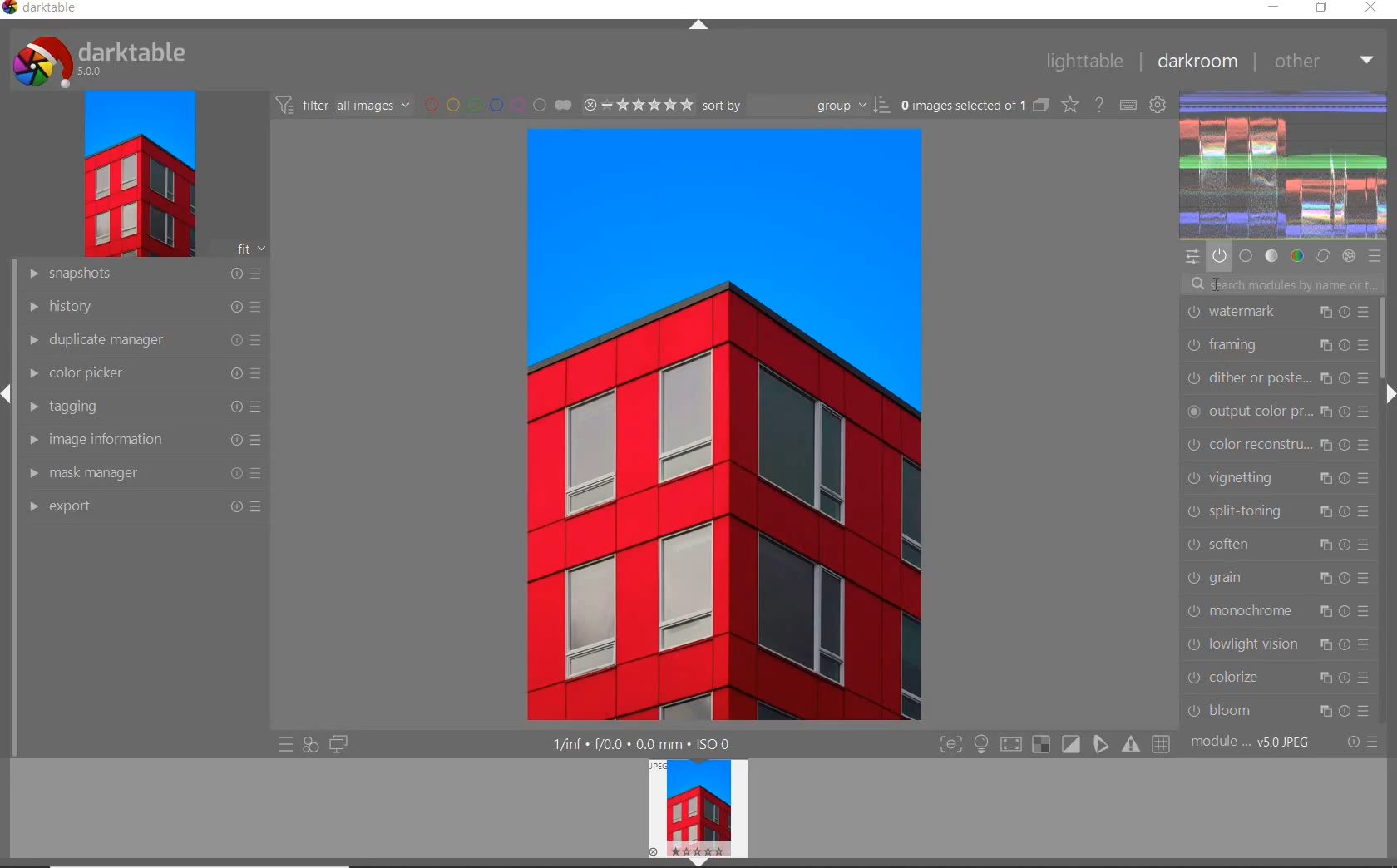 The width and height of the screenshot is (1397, 868). Describe the element at coordinates (1246, 254) in the screenshot. I see `base` at that location.